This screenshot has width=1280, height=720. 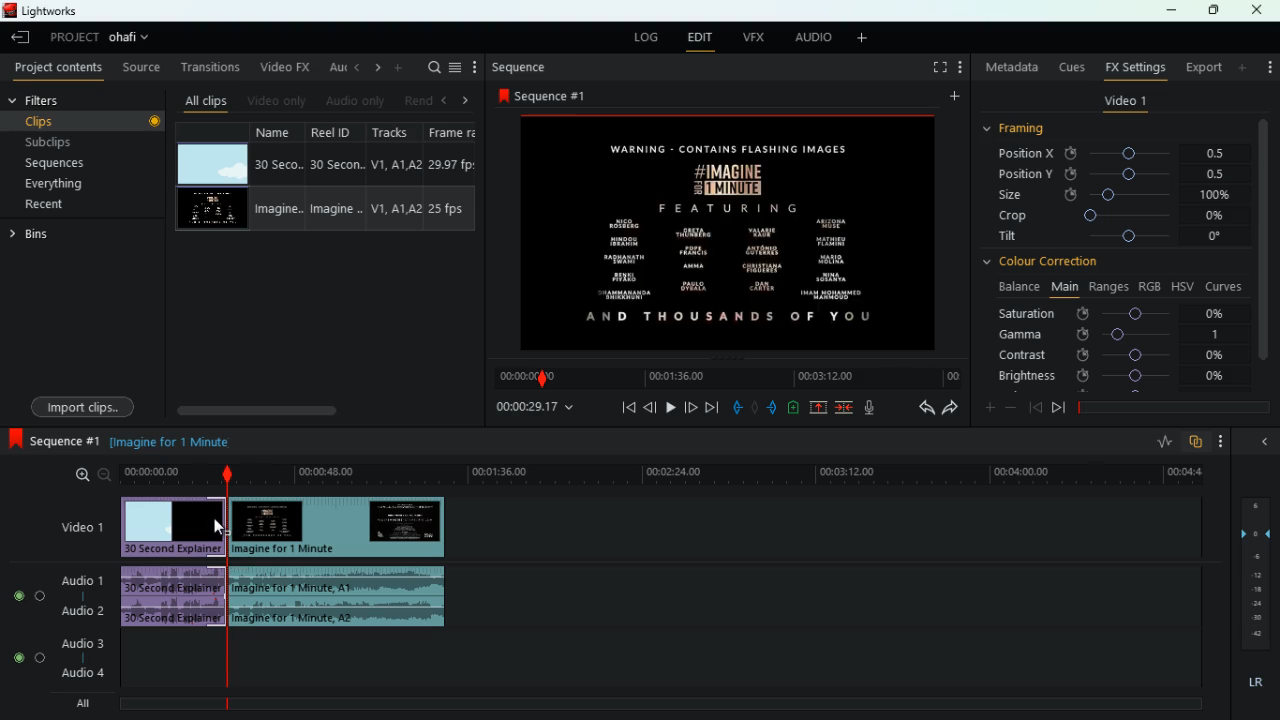 I want to click on crop, so click(x=1114, y=217).